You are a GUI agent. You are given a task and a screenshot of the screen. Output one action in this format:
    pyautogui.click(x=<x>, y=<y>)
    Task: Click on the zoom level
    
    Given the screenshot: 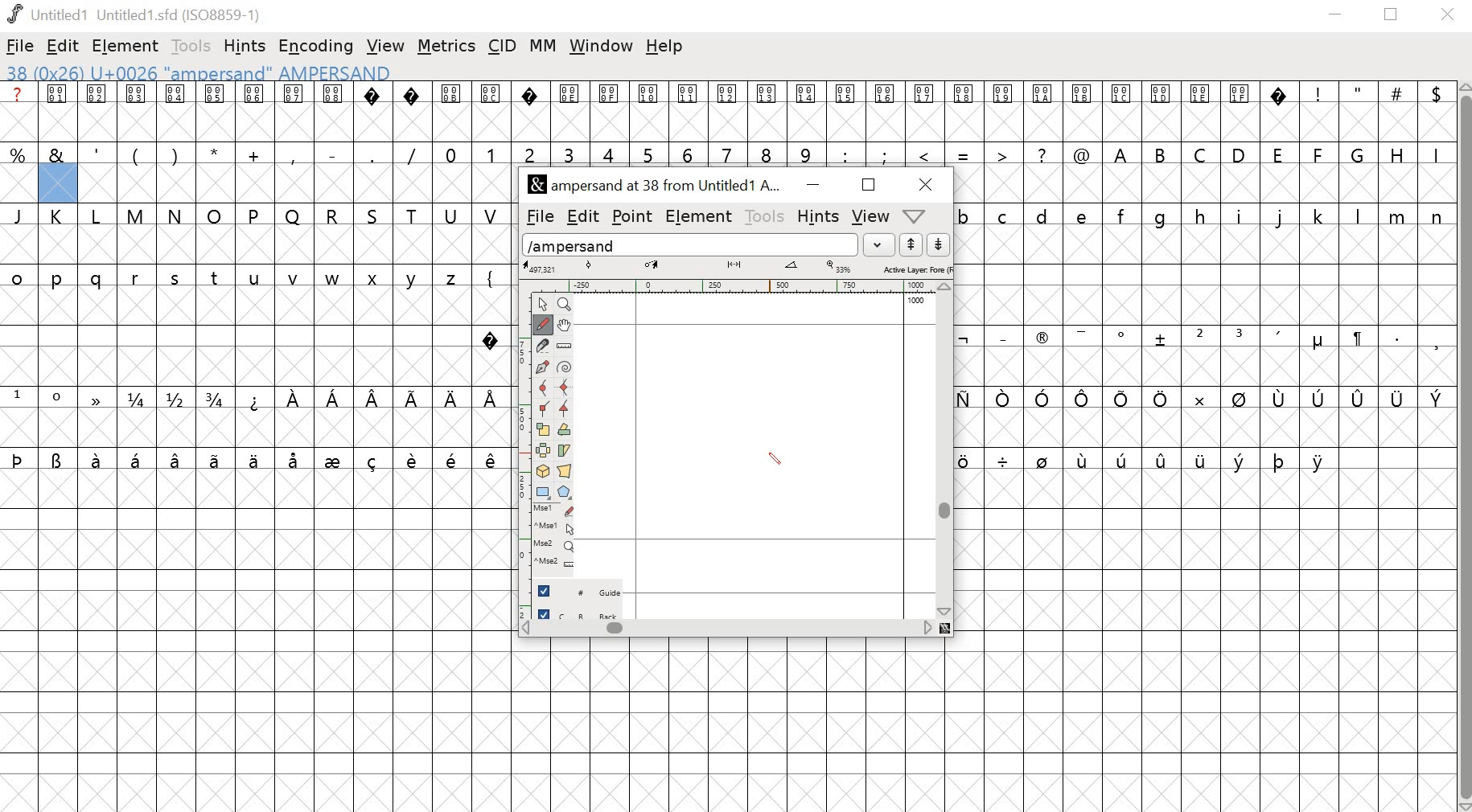 What is the action you would take?
    pyautogui.click(x=841, y=267)
    